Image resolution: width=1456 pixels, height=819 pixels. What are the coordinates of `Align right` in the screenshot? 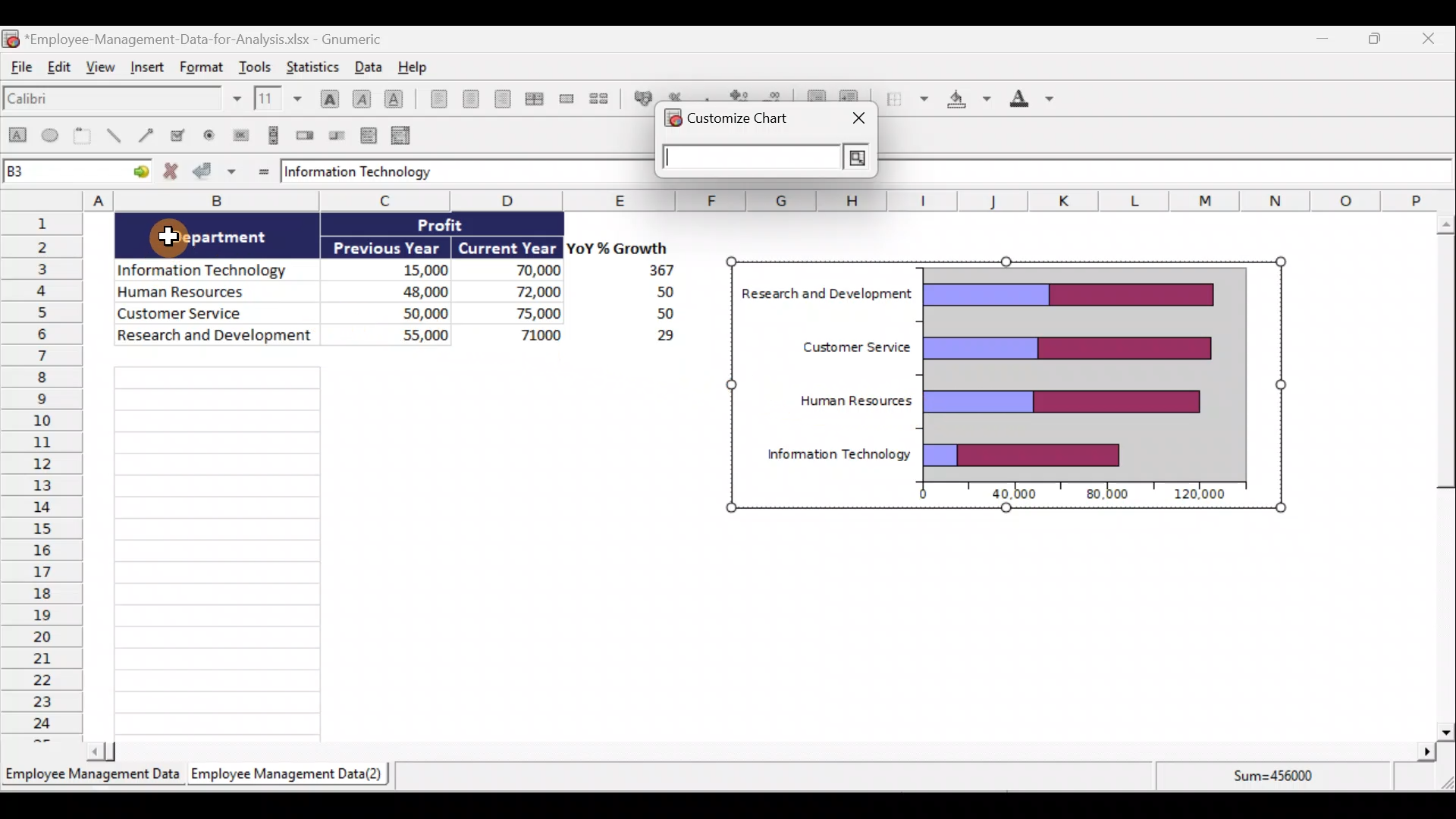 It's located at (502, 99).